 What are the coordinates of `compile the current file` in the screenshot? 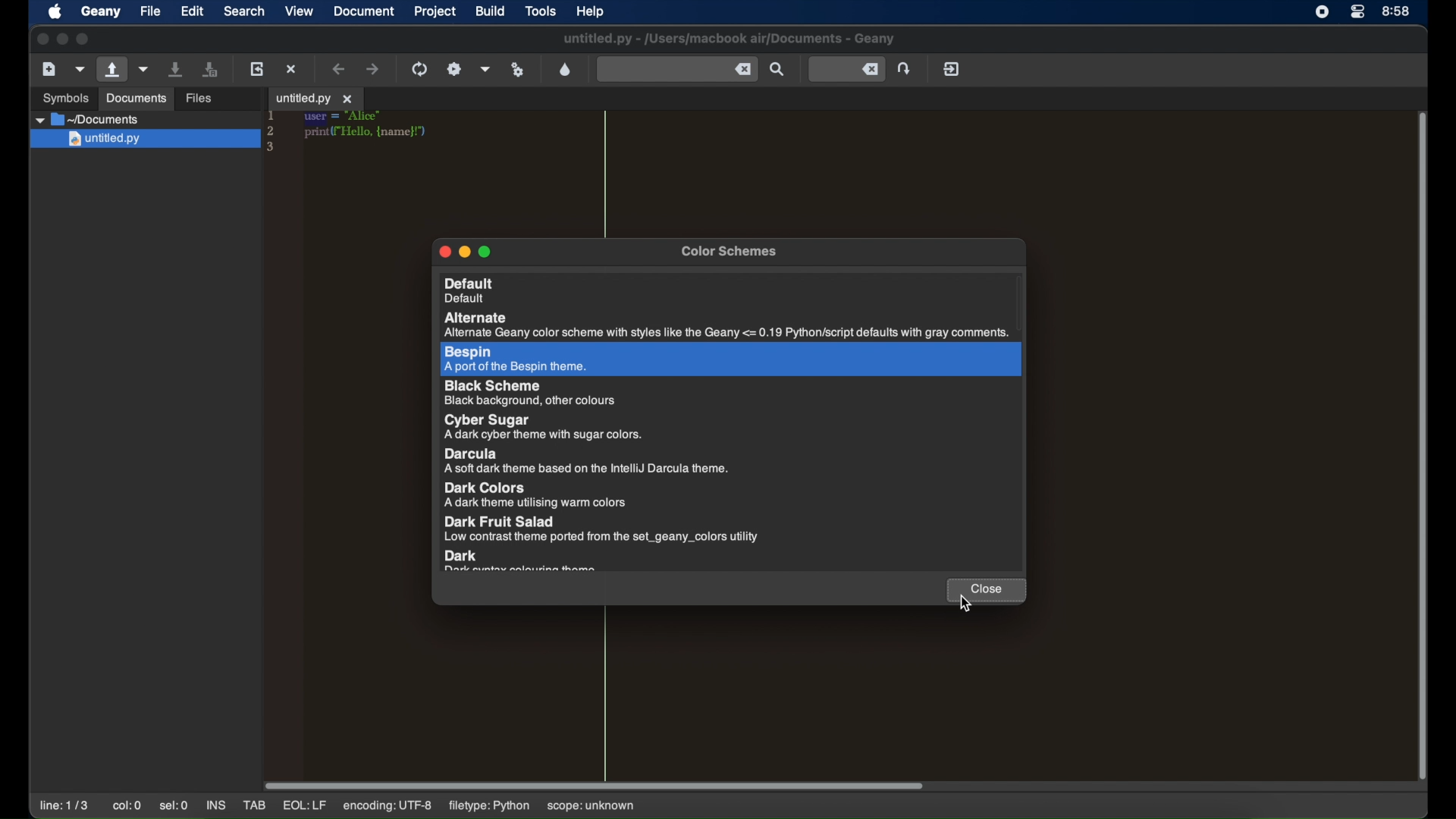 It's located at (419, 69).